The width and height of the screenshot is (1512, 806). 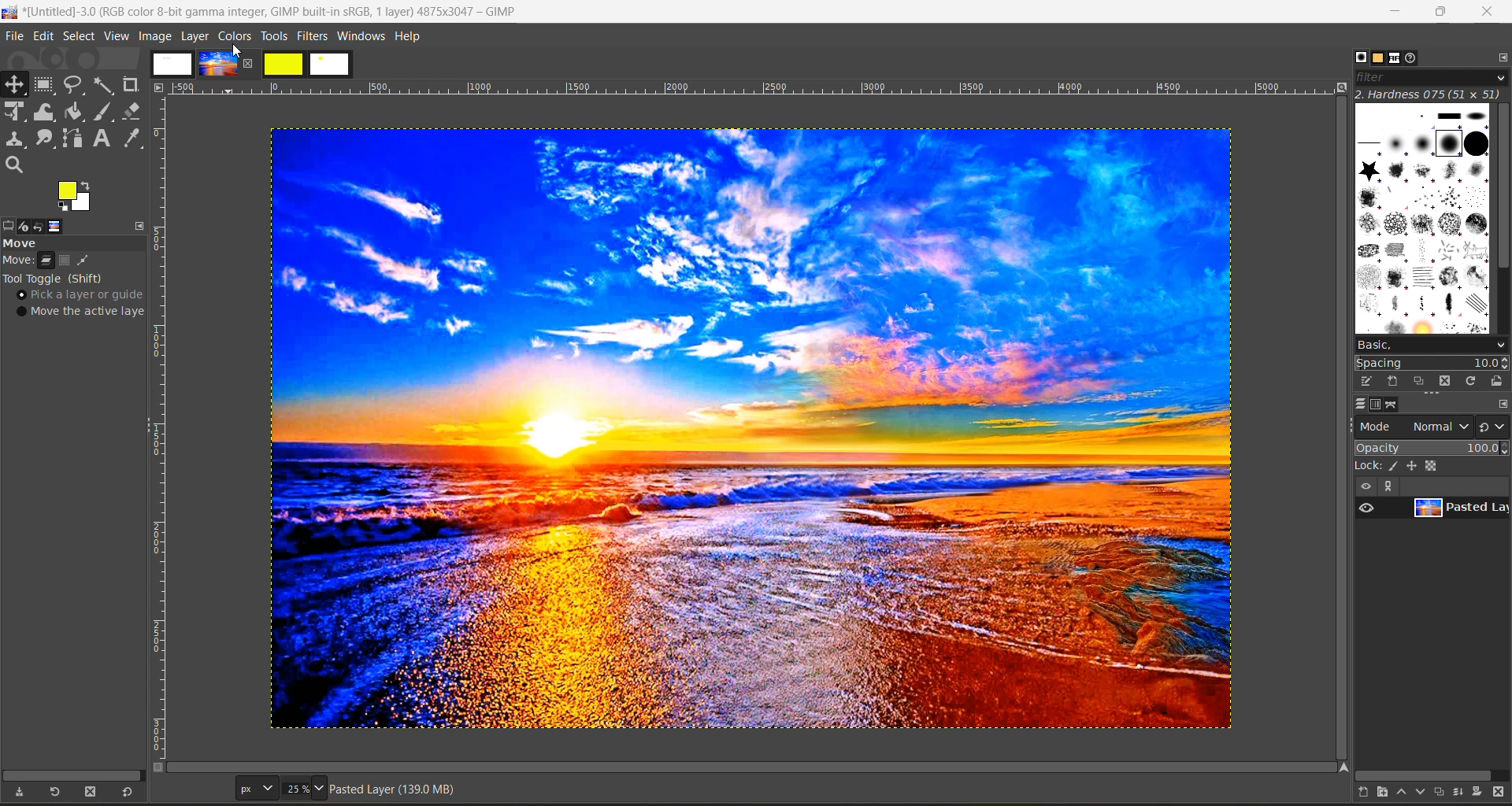 What do you see at coordinates (1421, 382) in the screenshot?
I see `duplicate brush` at bounding box center [1421, 382].